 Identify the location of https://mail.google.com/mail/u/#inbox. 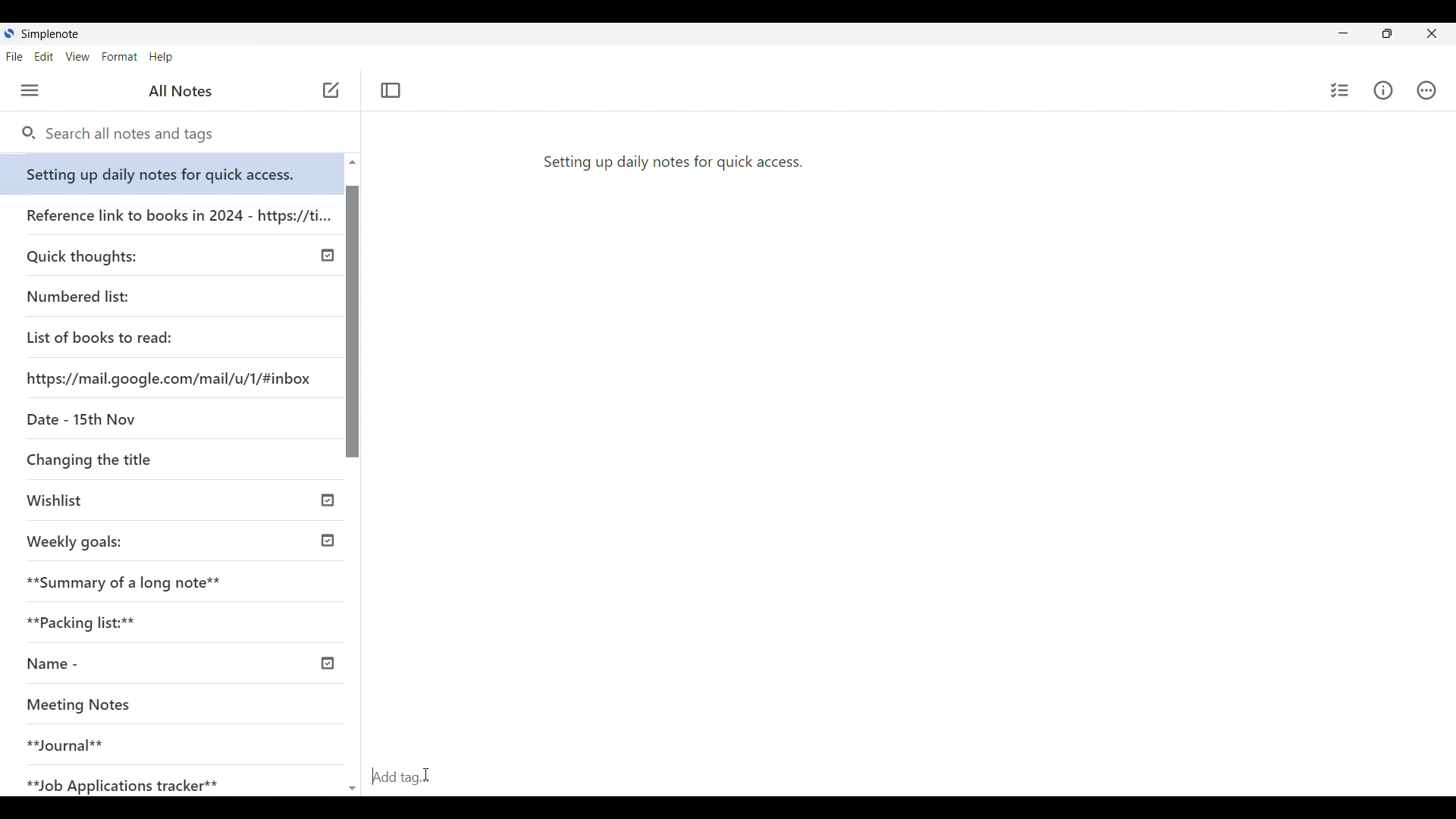
(171, 375).